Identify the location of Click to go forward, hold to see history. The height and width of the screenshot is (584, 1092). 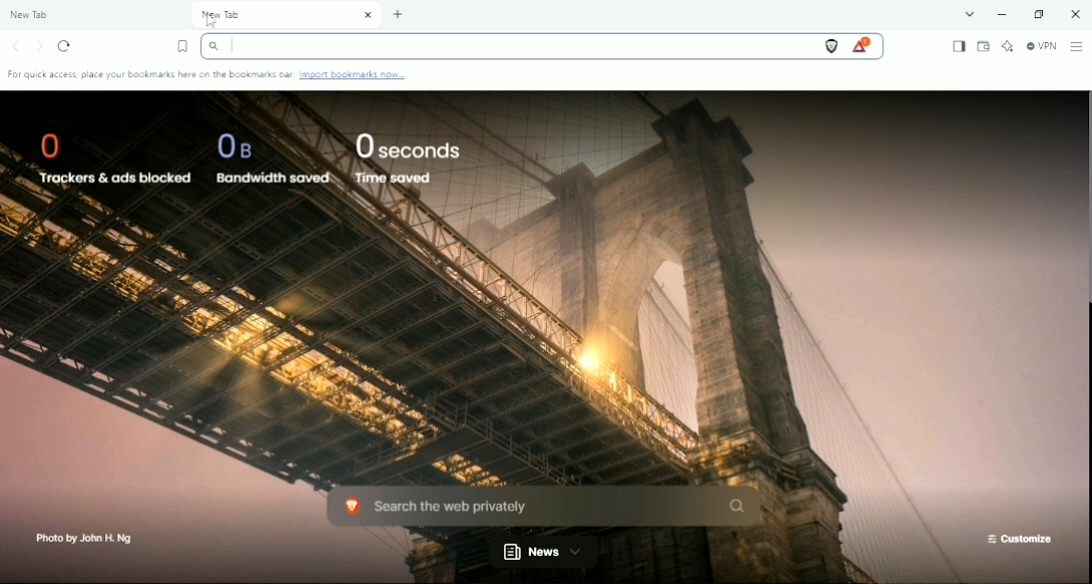
(39, 47).